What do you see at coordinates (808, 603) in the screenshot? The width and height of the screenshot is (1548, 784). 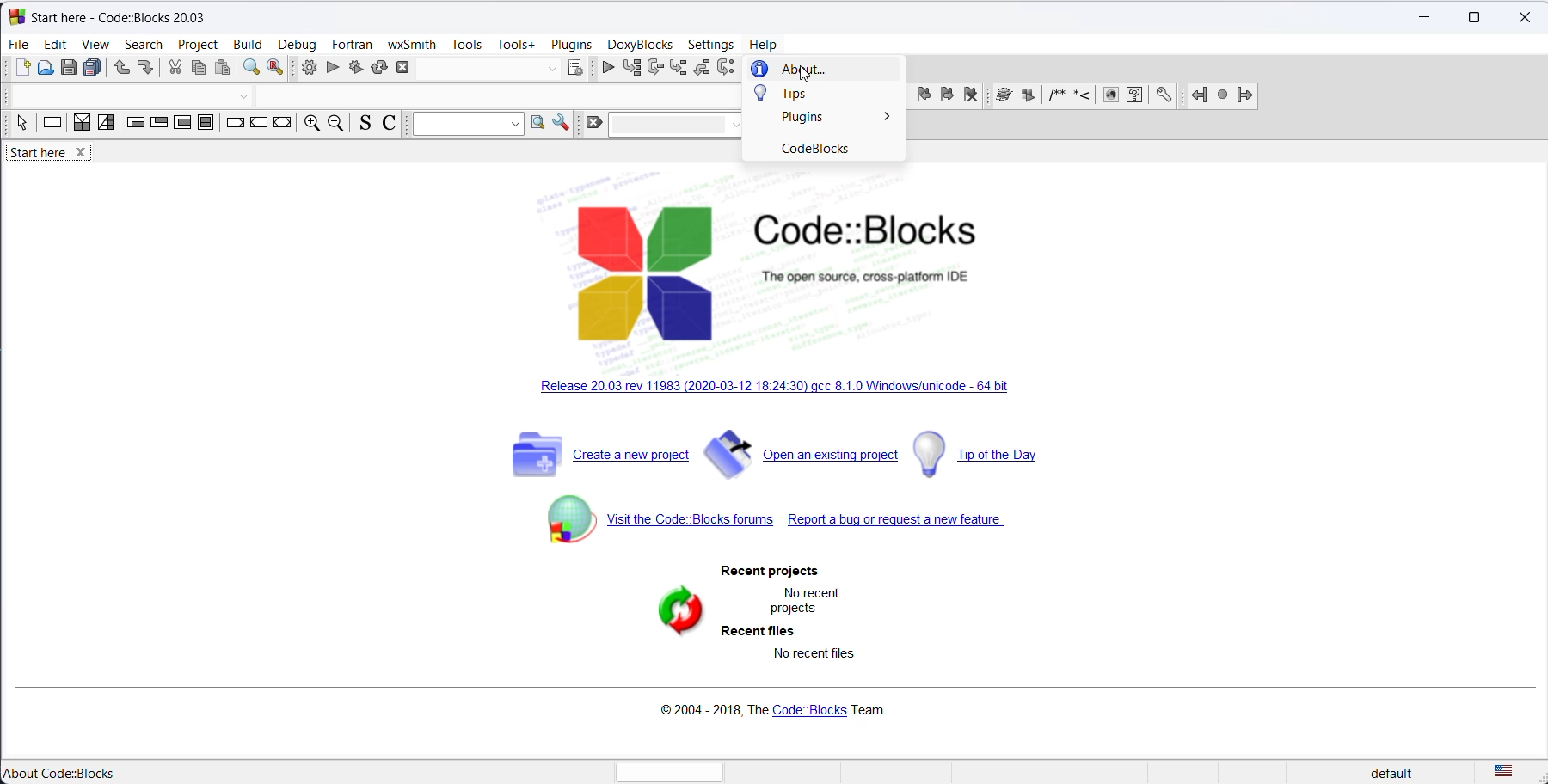 I see `no recent project` at bounding box center [808, 603].